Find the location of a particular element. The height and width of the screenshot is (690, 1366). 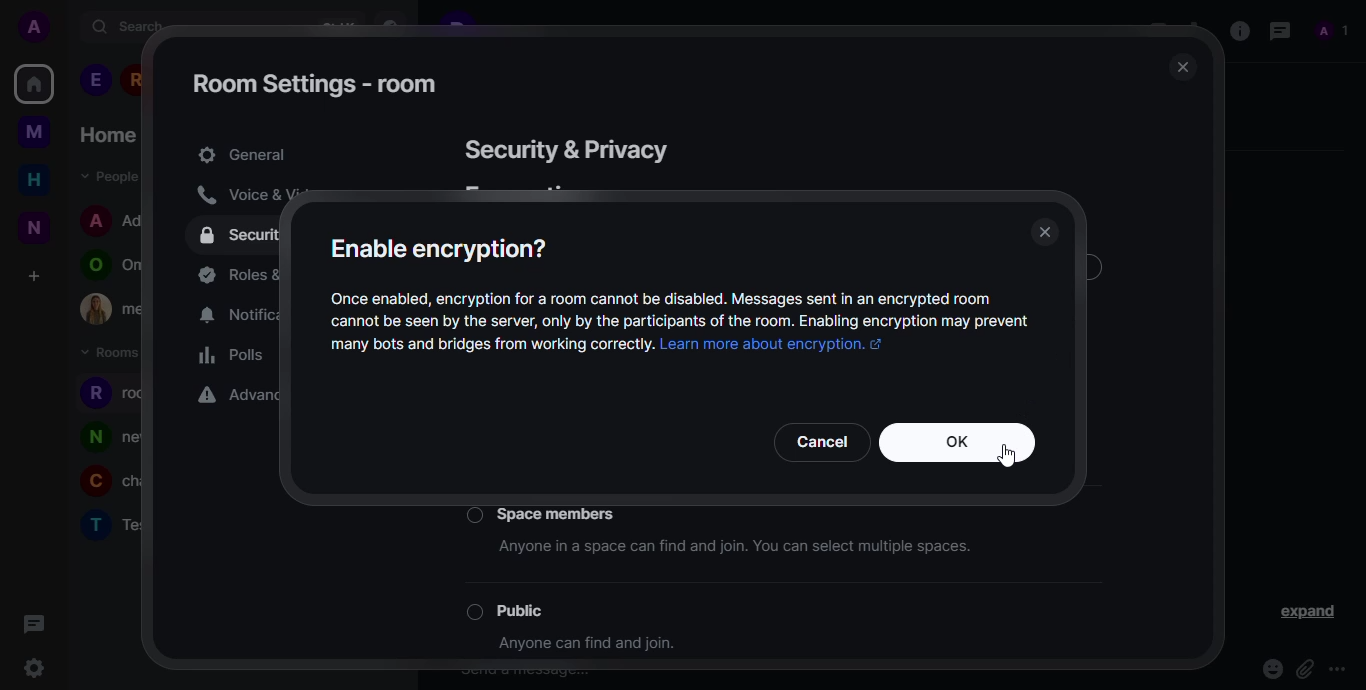

room settings is located at coordinates (314, 83).